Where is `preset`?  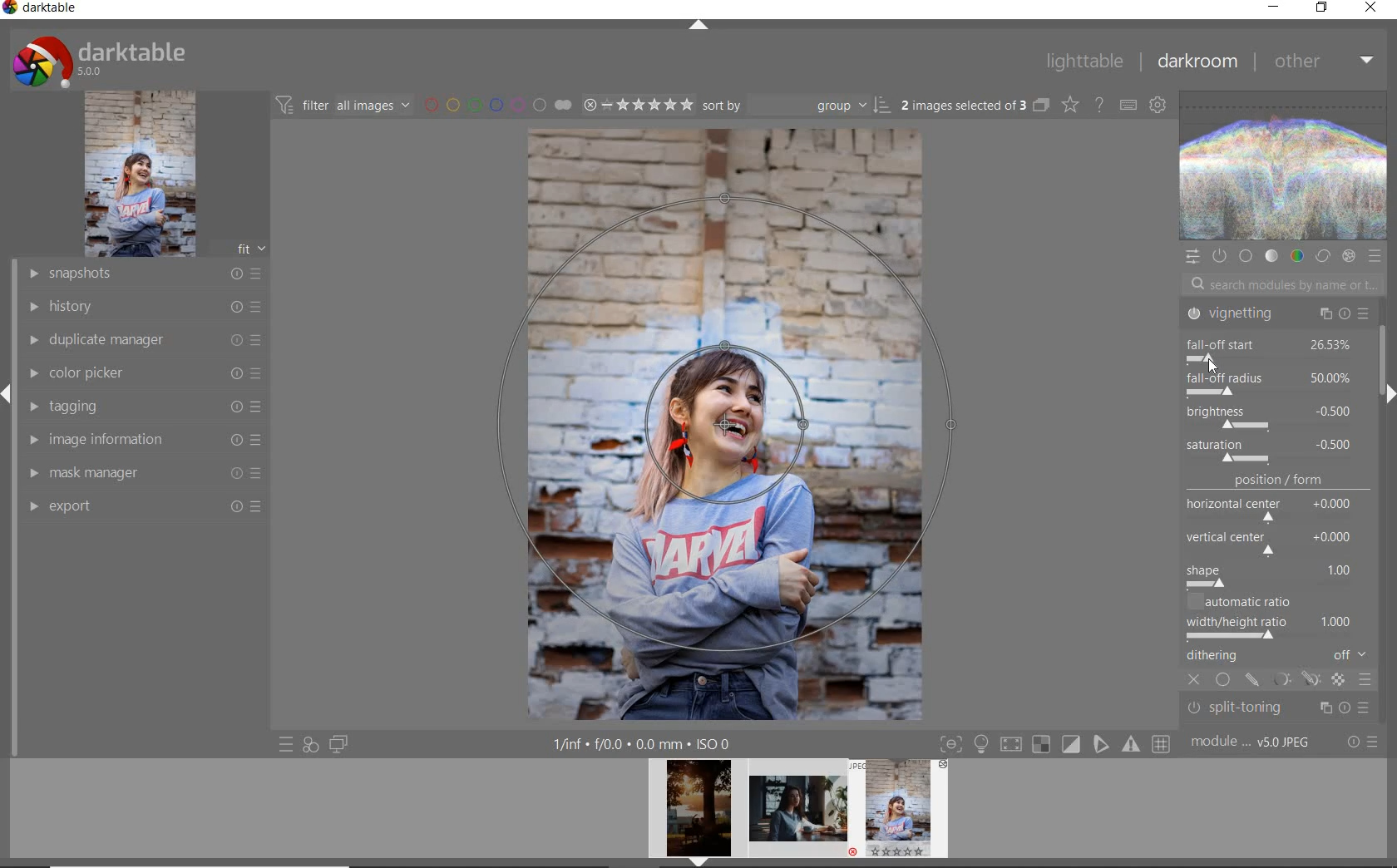 preset is located at coordinates (1375, 256).